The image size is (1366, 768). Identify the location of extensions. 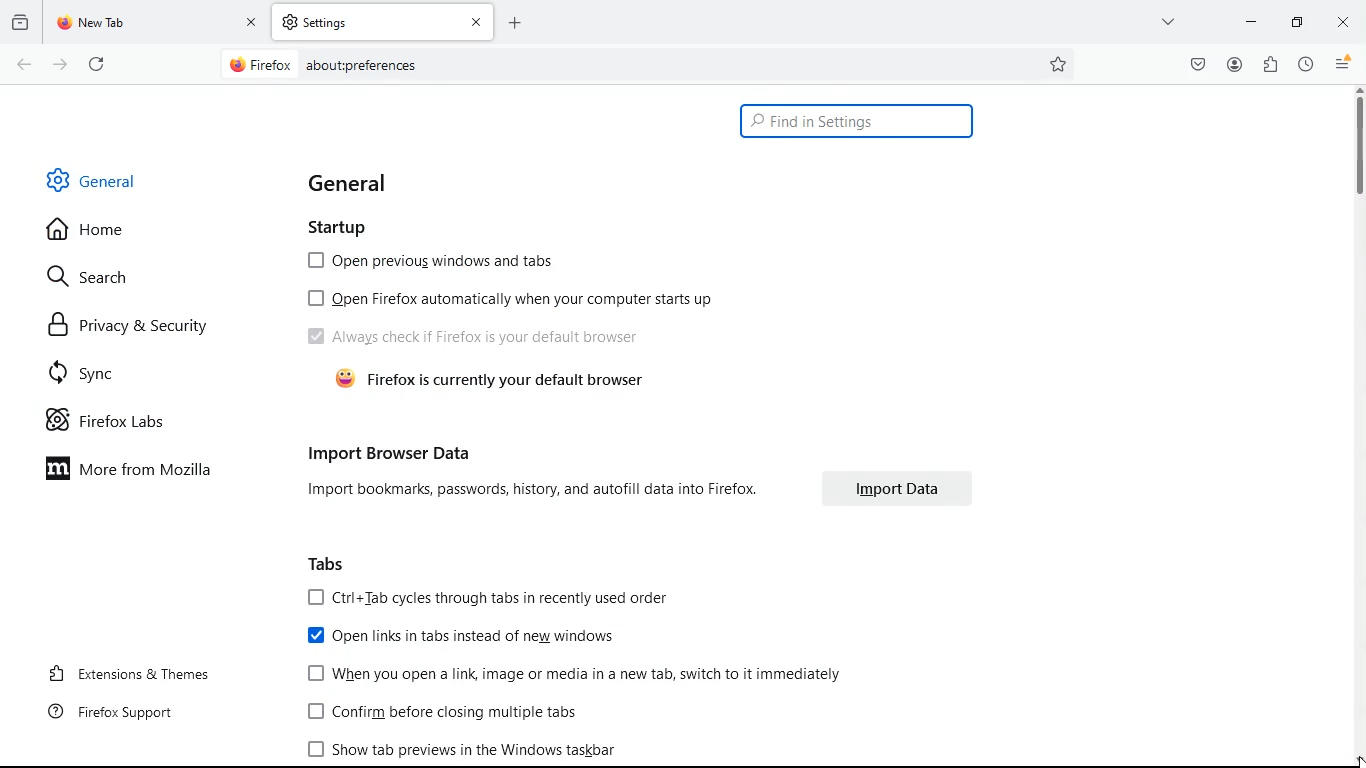
(1269, 66).